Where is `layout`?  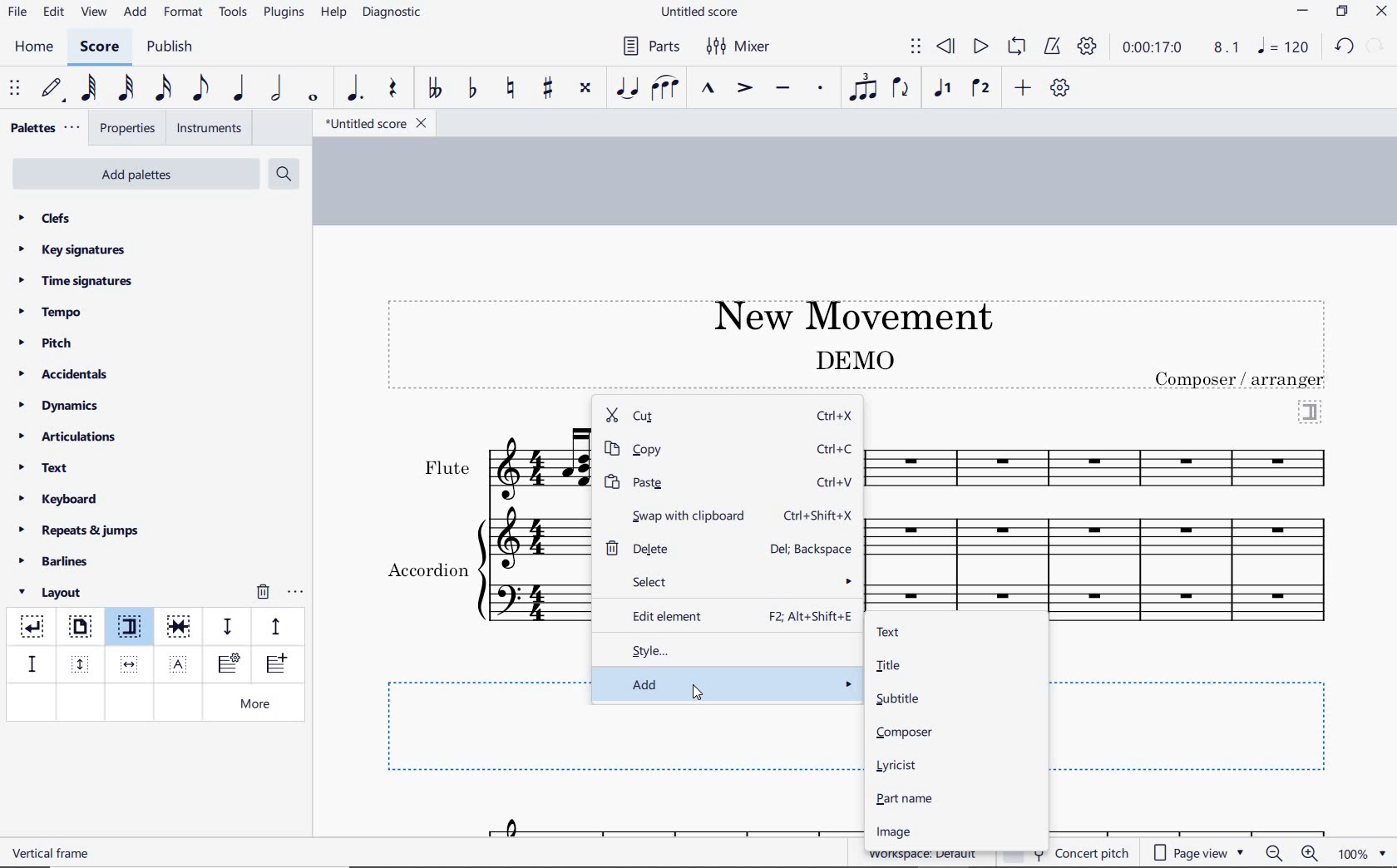
layout is located at coordinates (53, 593).